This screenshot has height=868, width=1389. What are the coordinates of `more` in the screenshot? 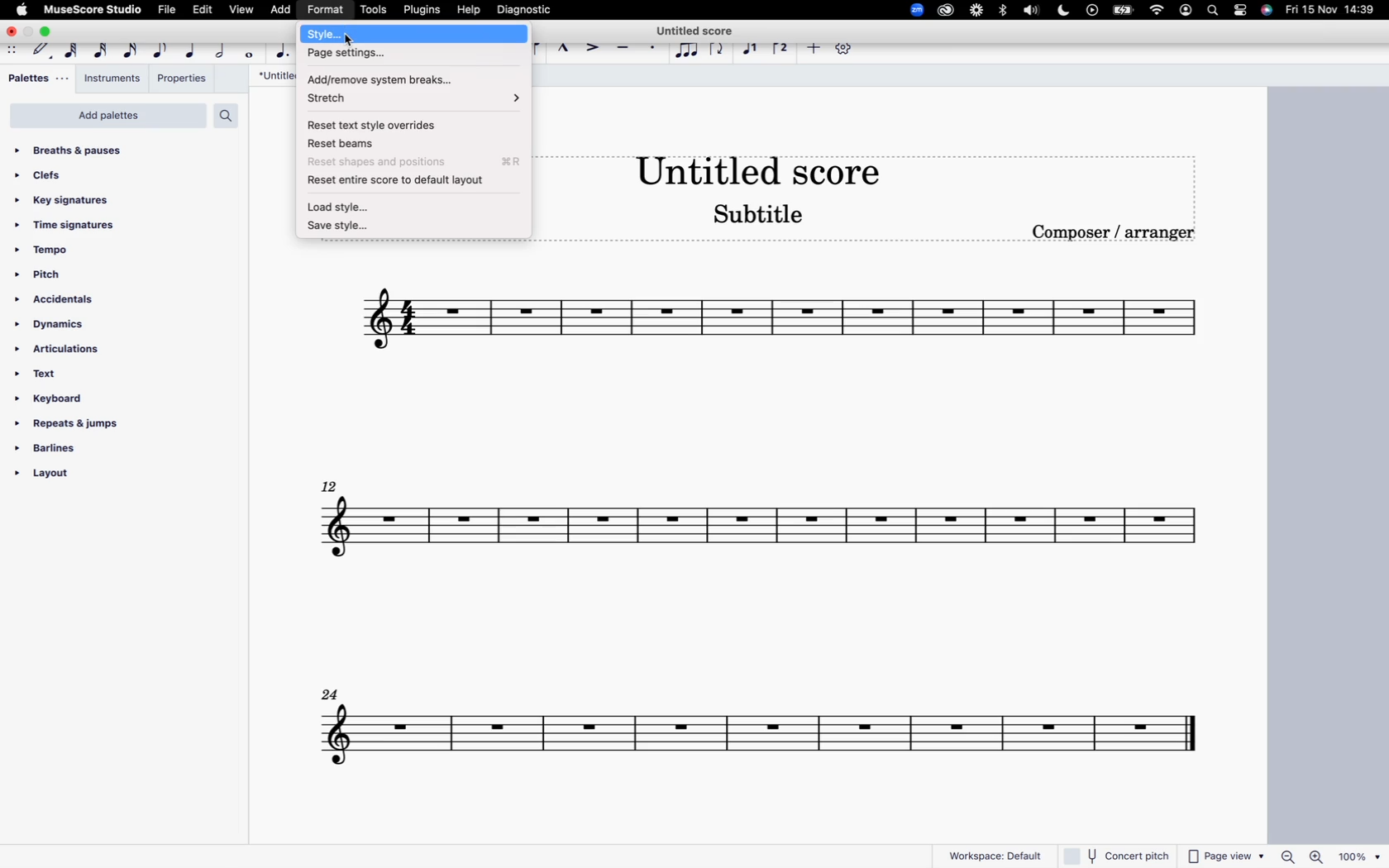 It's located at (815, 48).